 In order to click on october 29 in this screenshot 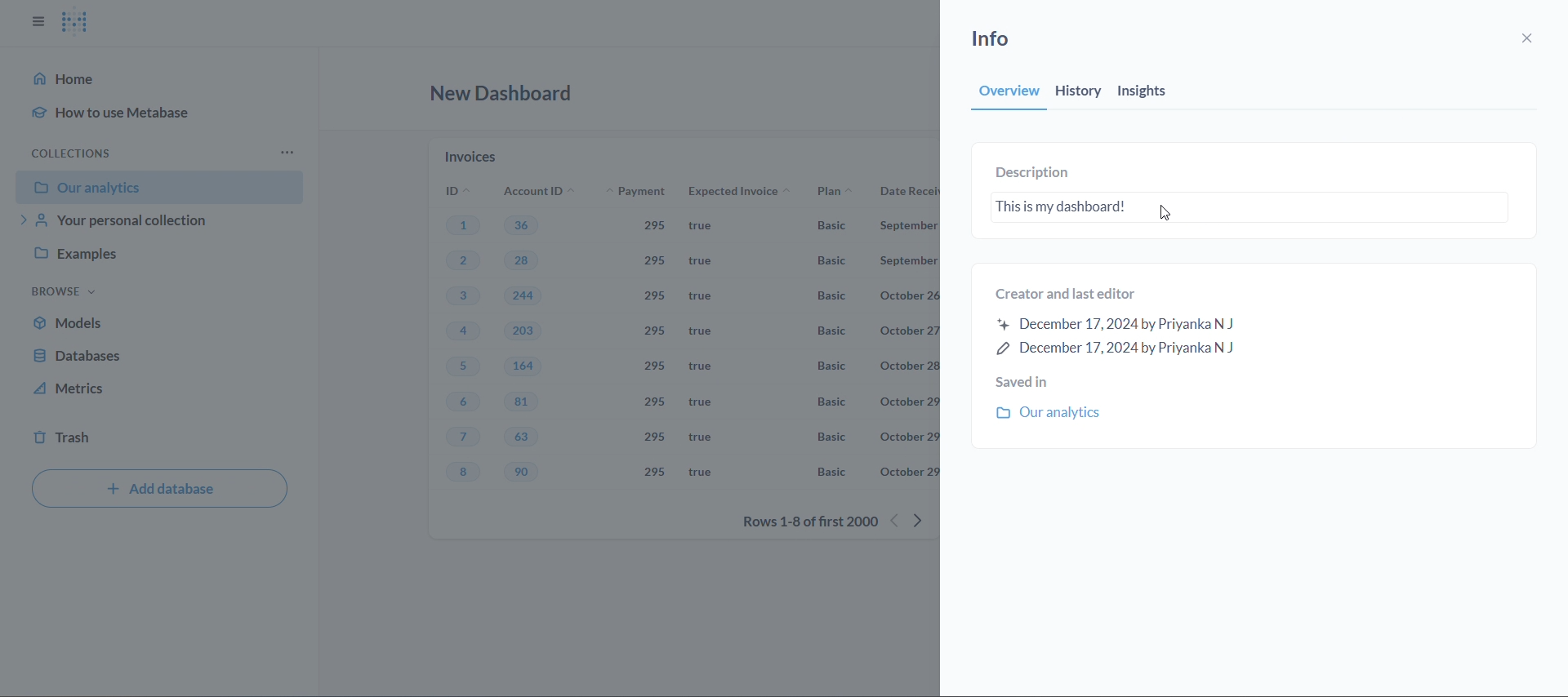, I will do `click(907, 402)`.